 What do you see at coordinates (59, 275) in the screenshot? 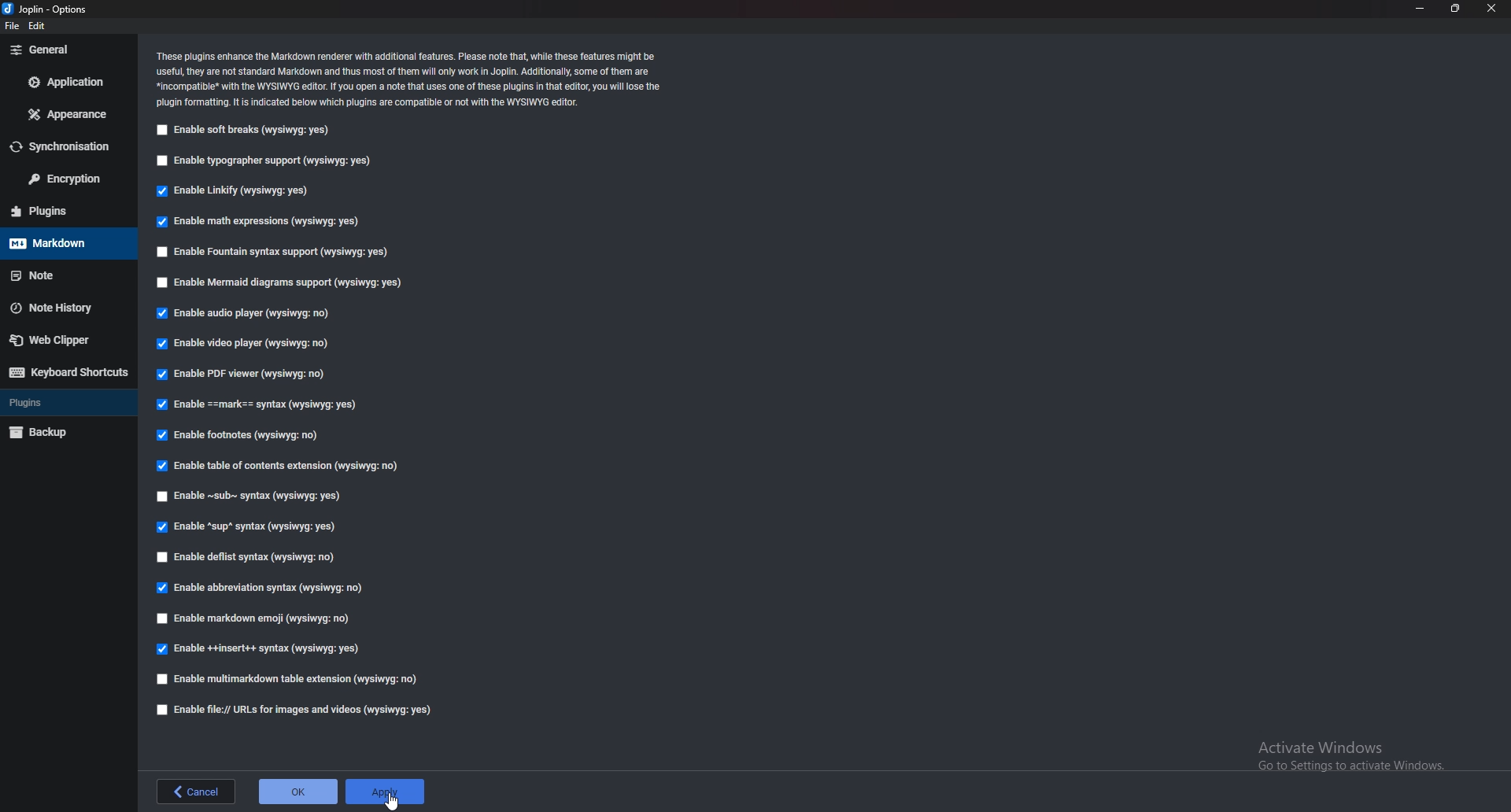
I see `note` at bounding box center [59, 275].